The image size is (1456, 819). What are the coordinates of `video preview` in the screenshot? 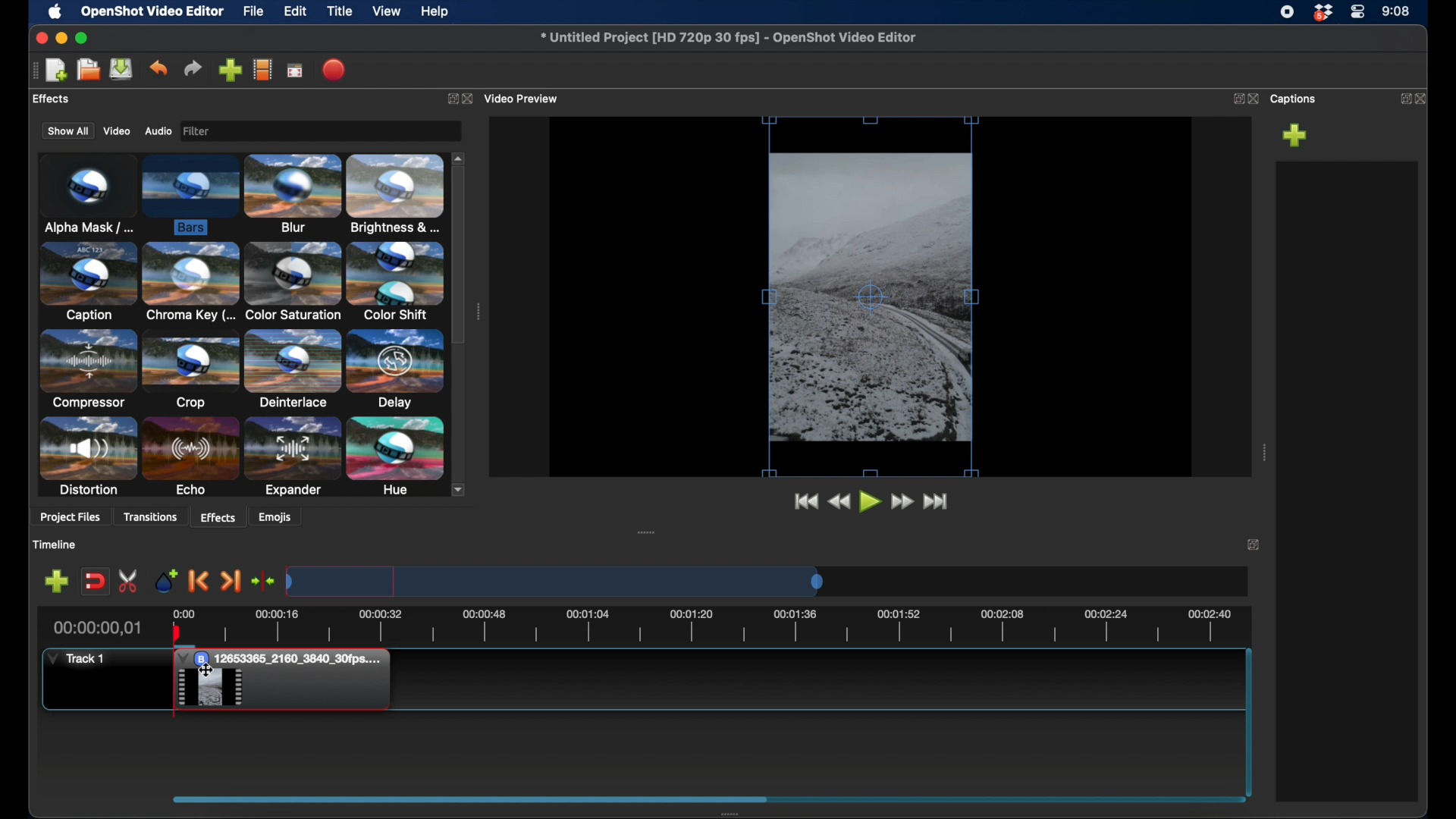 It's located at (525, 97).